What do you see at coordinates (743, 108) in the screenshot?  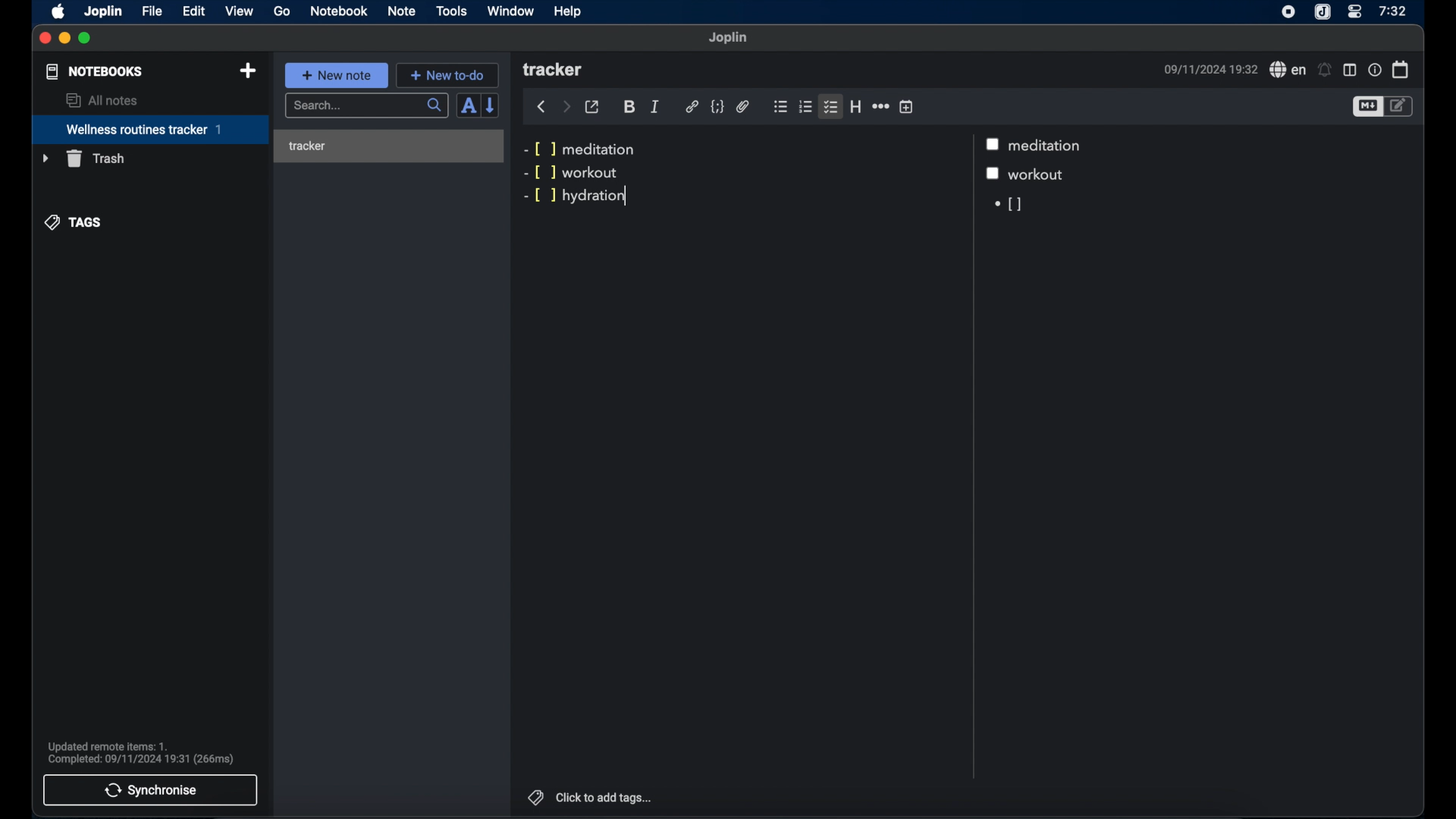 I see `attach file` at bounding box center [743, 108].